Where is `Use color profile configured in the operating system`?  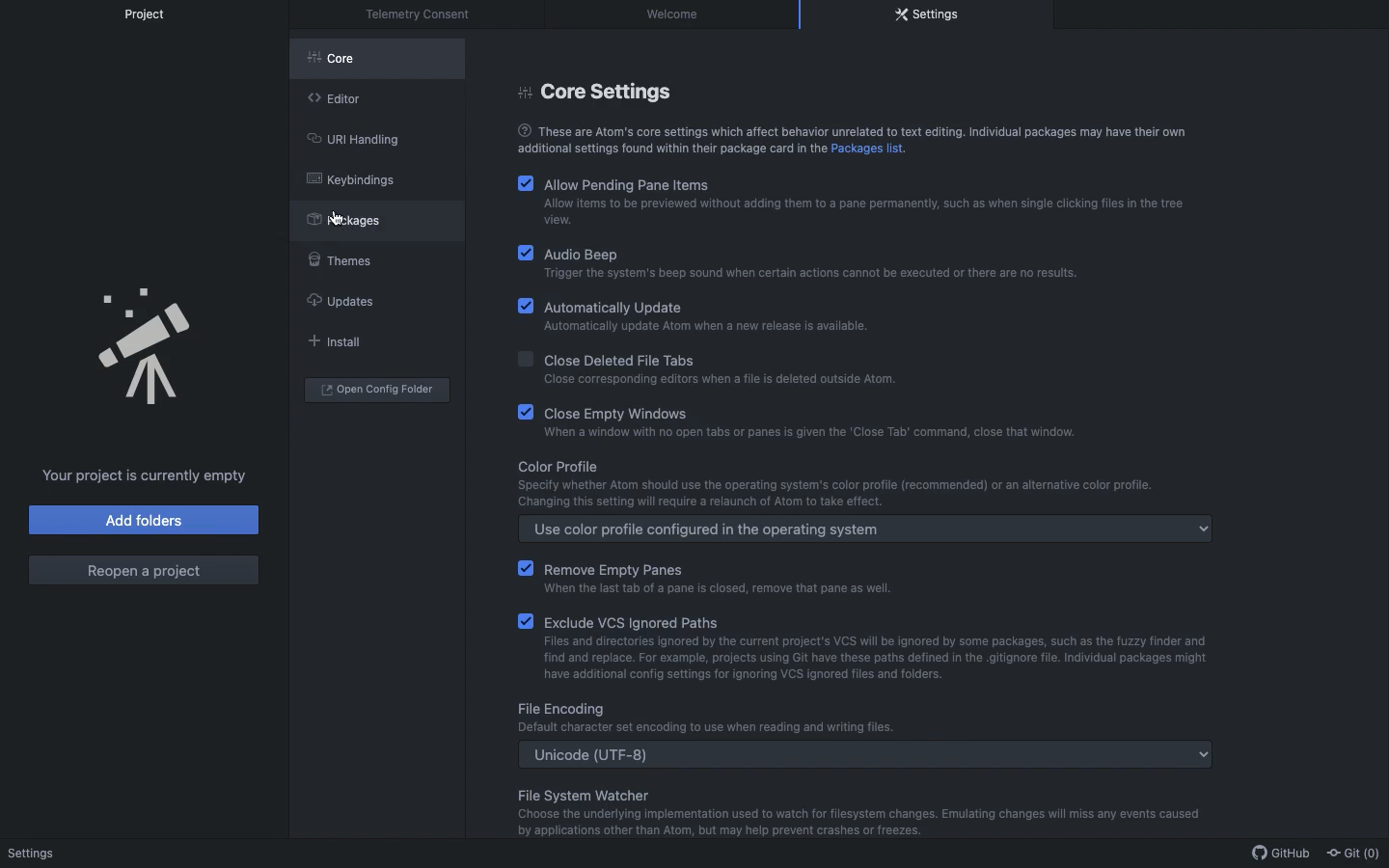
Use color profile configured in the operating system is located at coordinates (868, 530).